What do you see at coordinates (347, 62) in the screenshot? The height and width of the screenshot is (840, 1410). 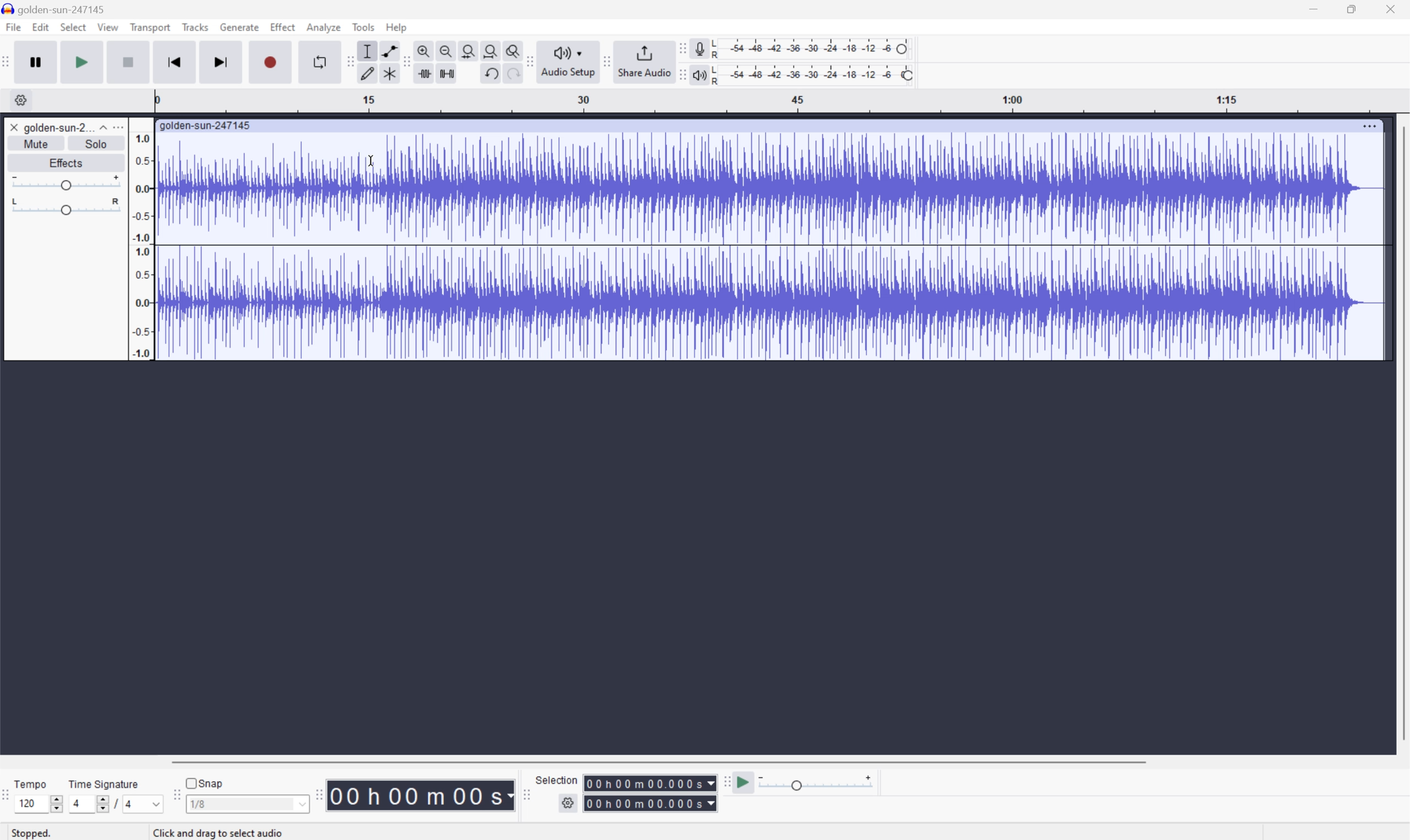 I see `Audacity Edit toolbar` at bounding box center [347, 62].